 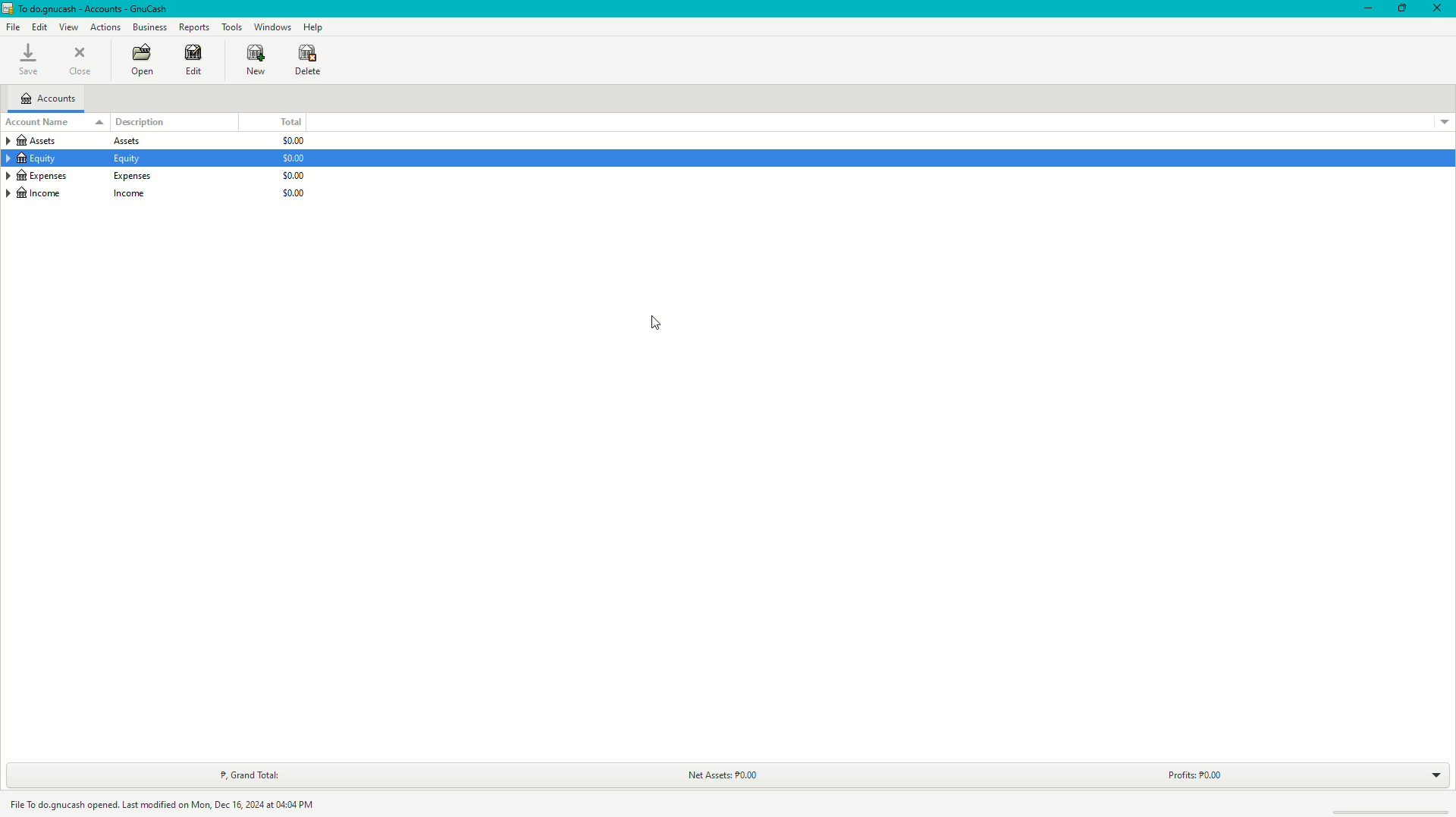 What do you see at coordinates (141, 122) in the screenshot?
I see `Description` at bounding box center [141, 122].